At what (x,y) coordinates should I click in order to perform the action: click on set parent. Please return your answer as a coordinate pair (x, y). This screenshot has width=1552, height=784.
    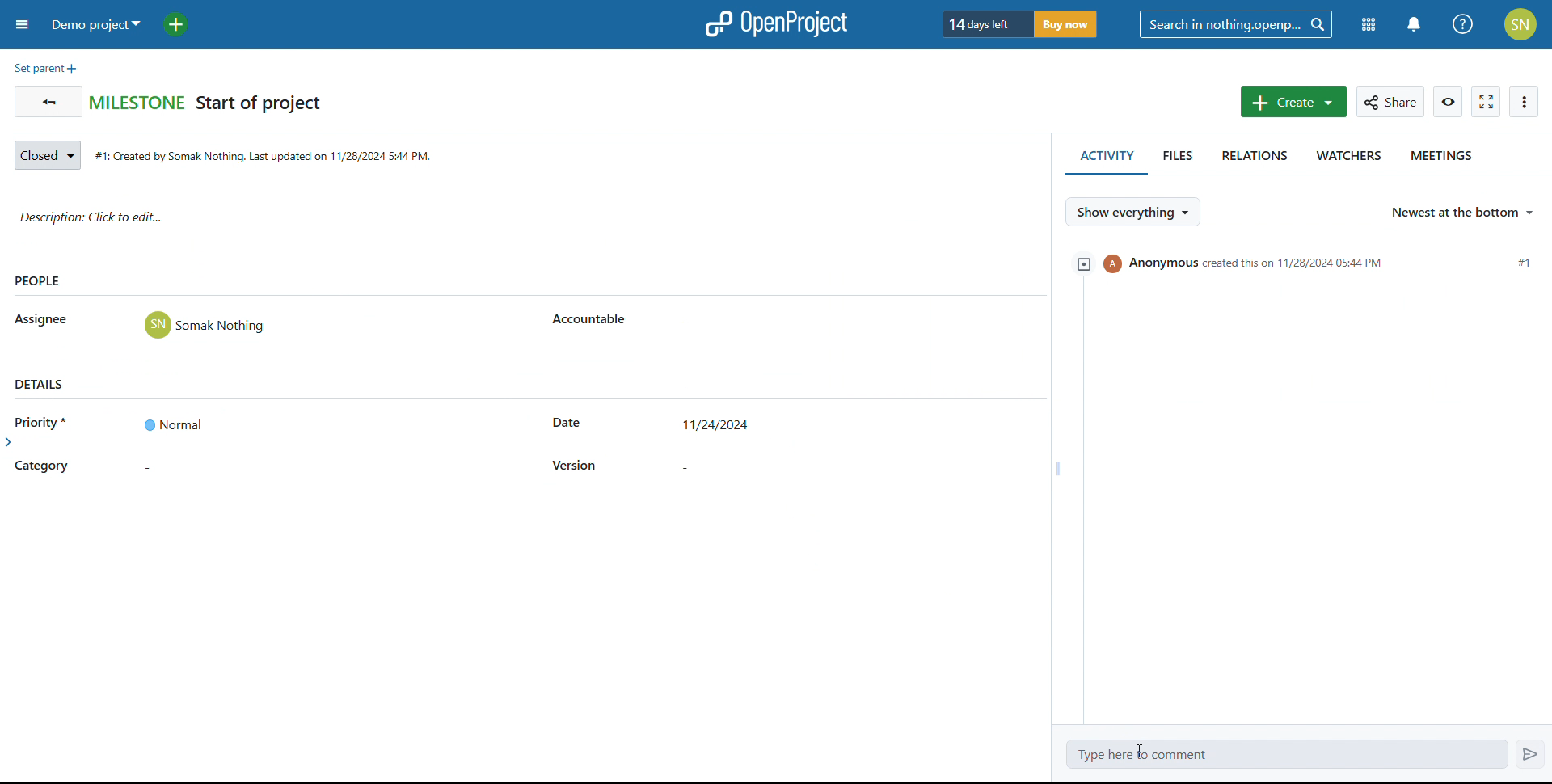
    Looking at the image, I should click on (45, 69).